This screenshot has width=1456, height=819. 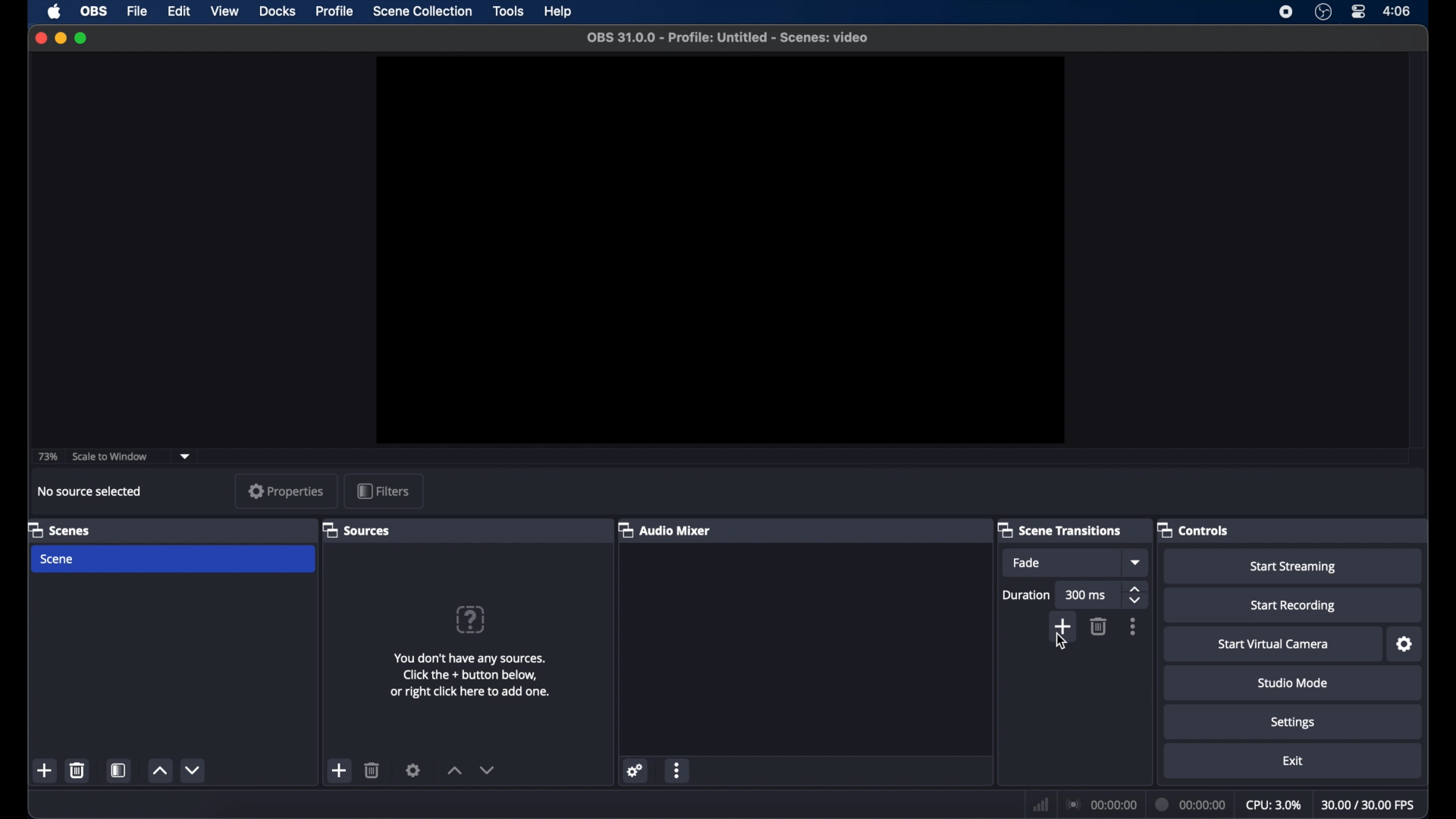 What do you see at coordinates (90, 491) in the screenshot?
I see `no source selected` at bounding box center [90, 491].